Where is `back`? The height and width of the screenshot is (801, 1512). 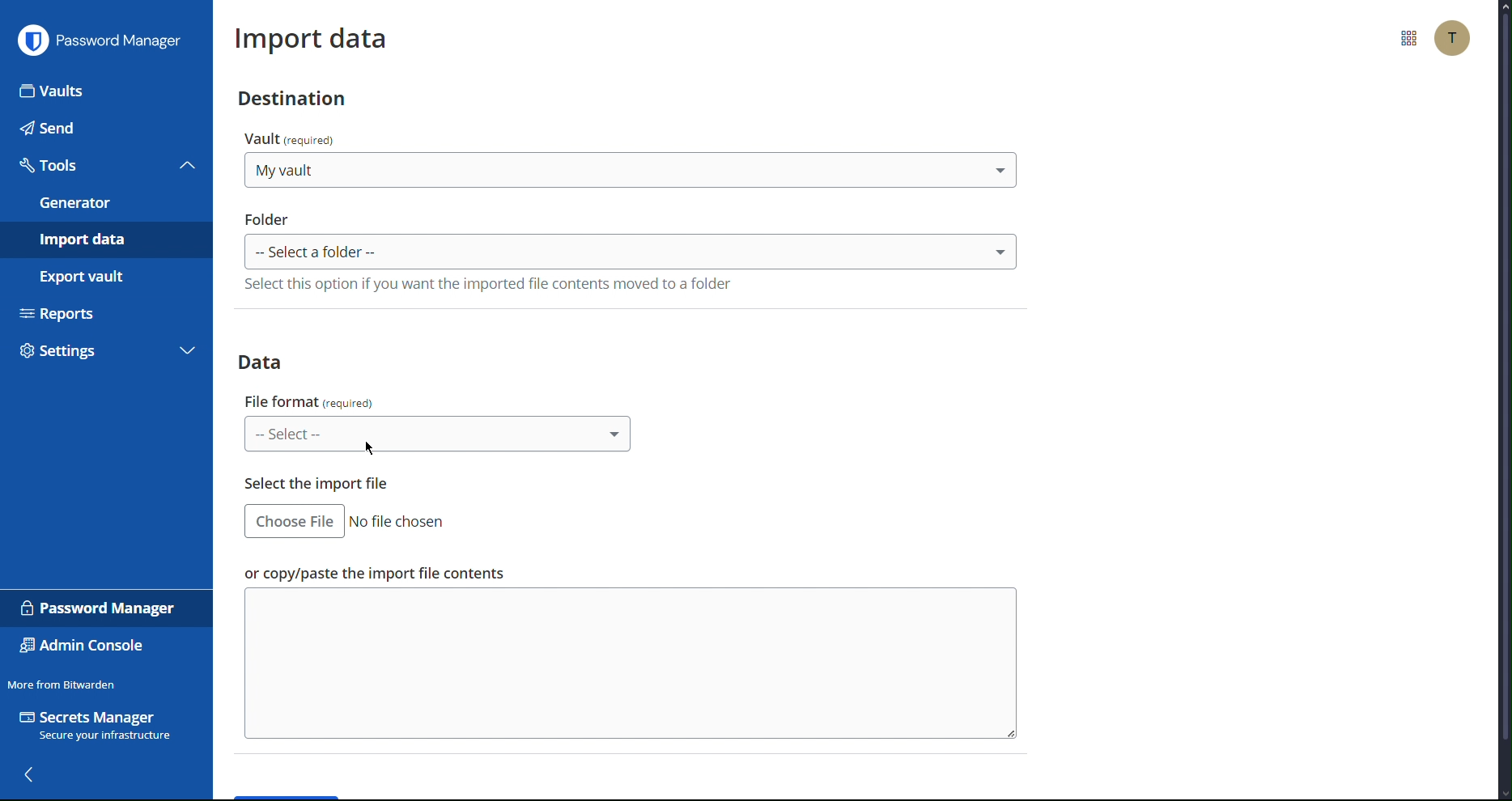
back is located at coordinates (32, 776).